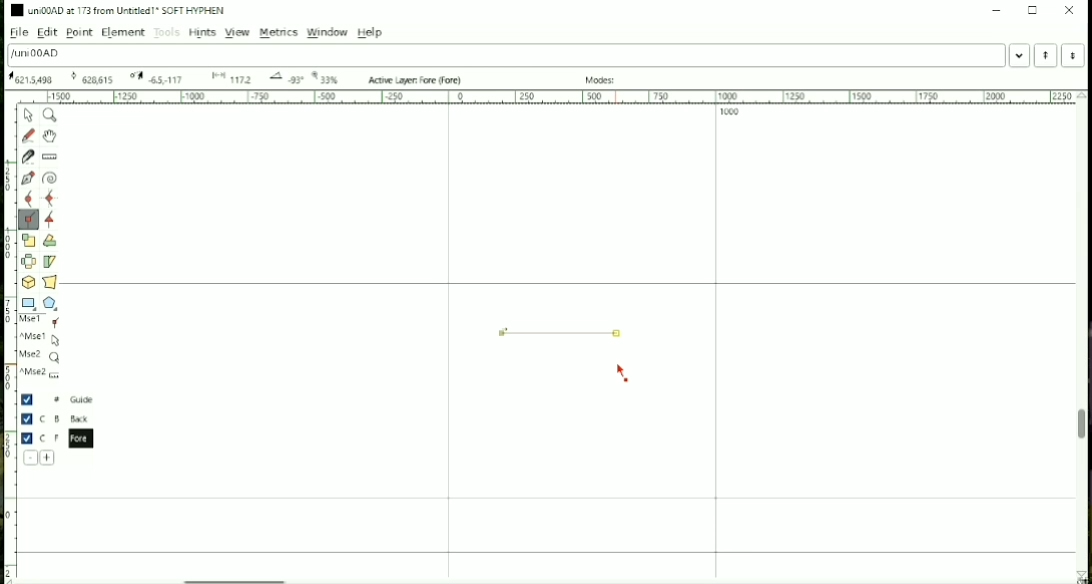 Image resolution: width=1092 pixels, height=584 pixels. What do you see at coordinates (286, 79) in the screenshot?
I see `173 Oxad U+00AD "uni00AD" SOFT HYPHEN` at bounding box center [286, 79].